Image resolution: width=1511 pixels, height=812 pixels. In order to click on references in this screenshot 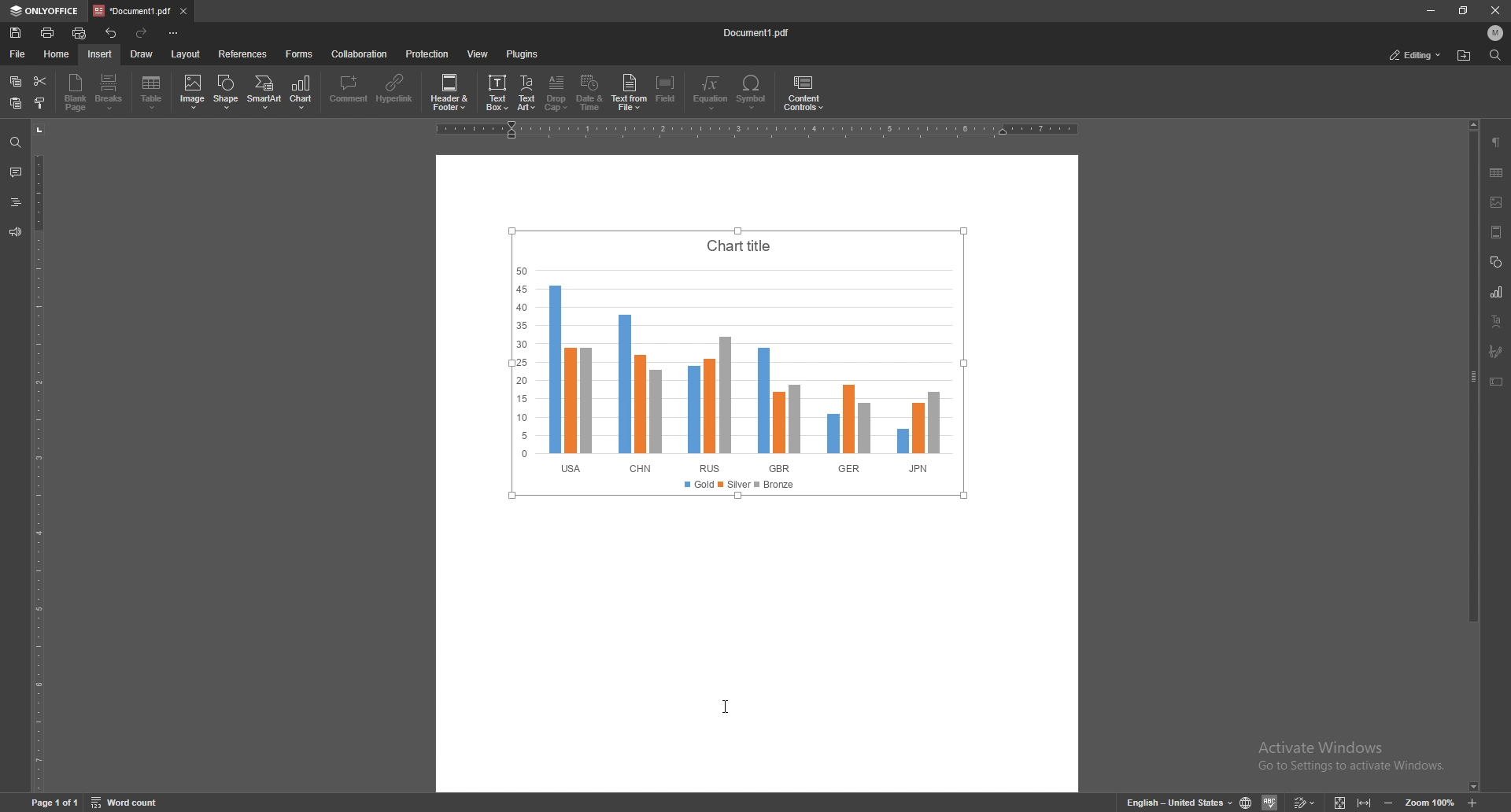, I will do `click(244, 54)`.